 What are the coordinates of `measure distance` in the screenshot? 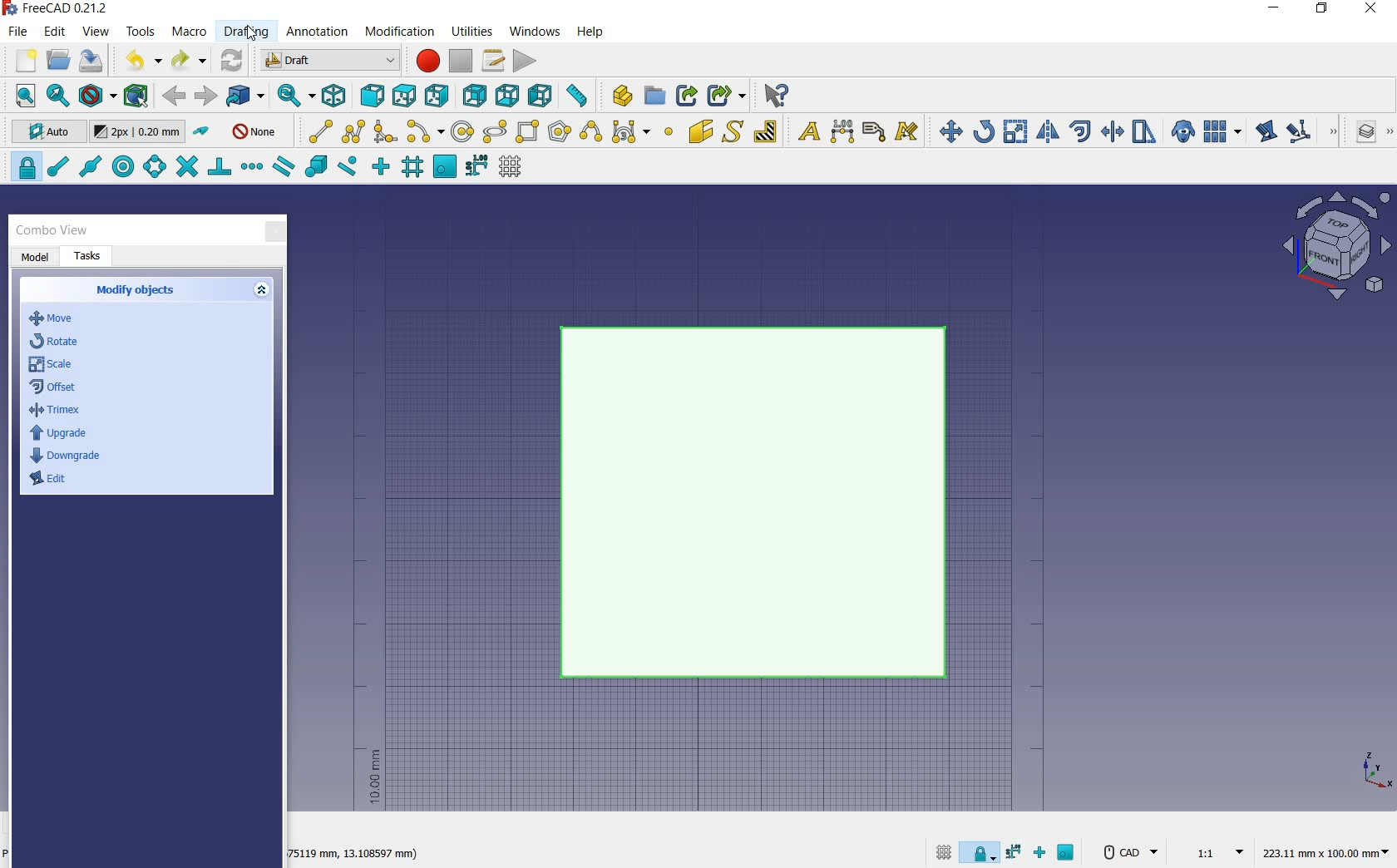 It's located at (579, 96).